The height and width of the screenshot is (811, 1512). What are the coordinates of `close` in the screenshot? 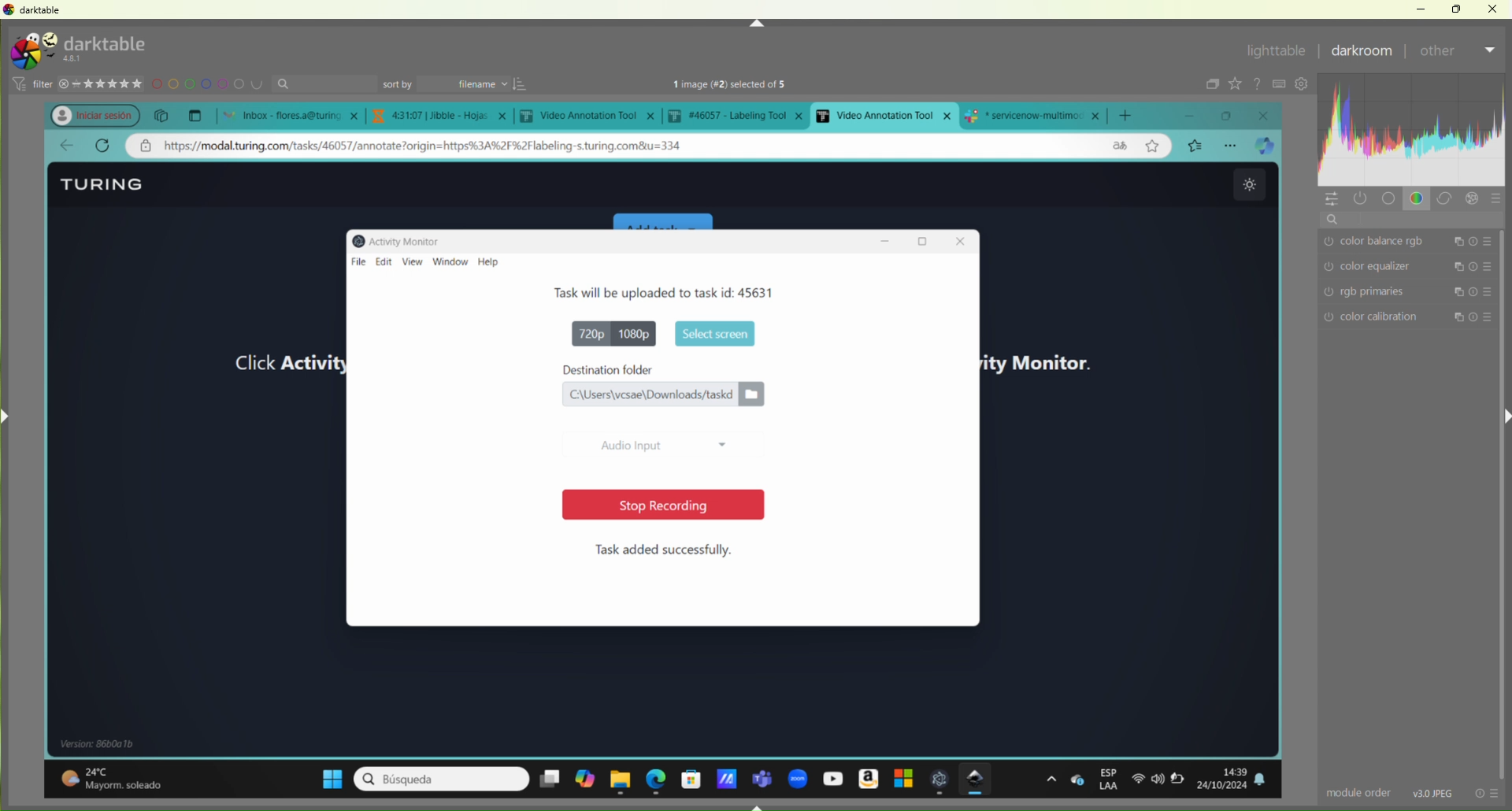 It's located at (1268, 114).